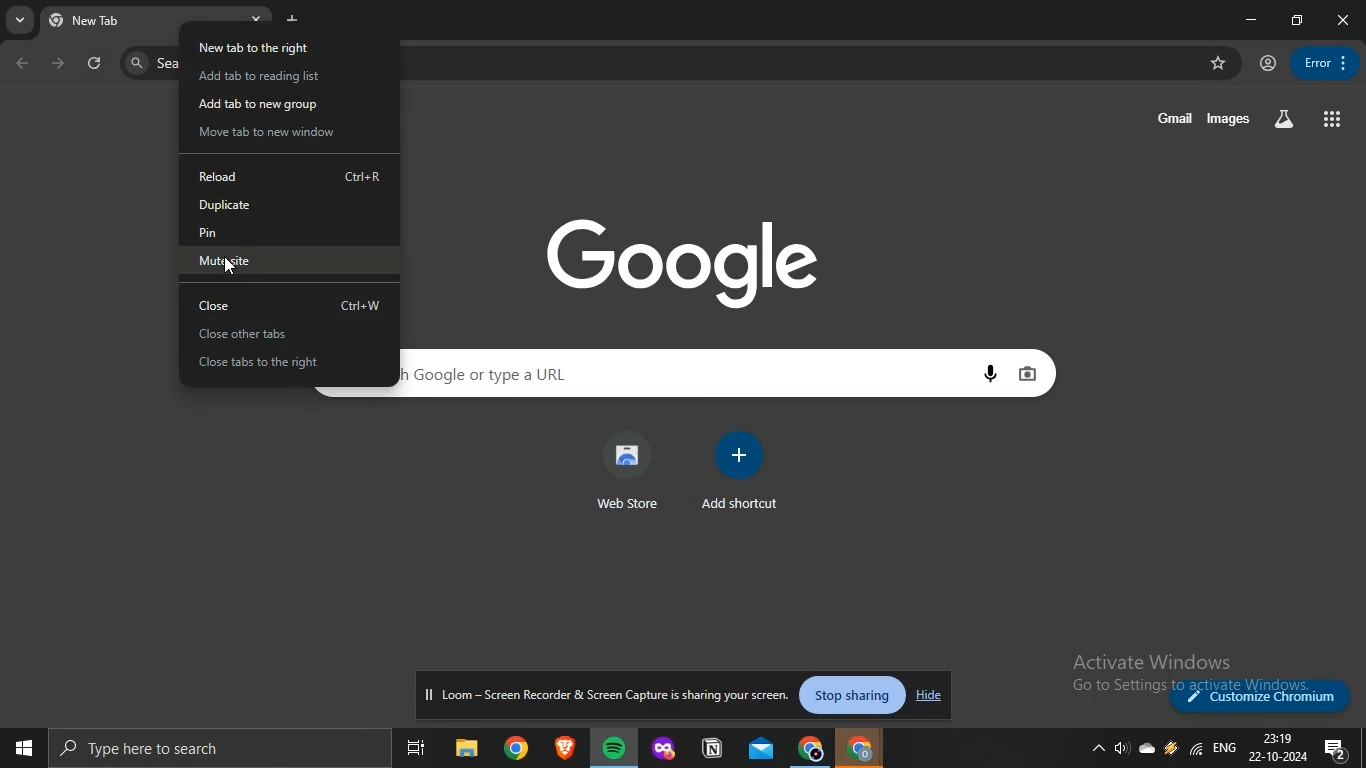 The image size is (1366, 768). Describe the element at coordinates (1268, 64) in the screenshot. I see `manage profie` at that location.